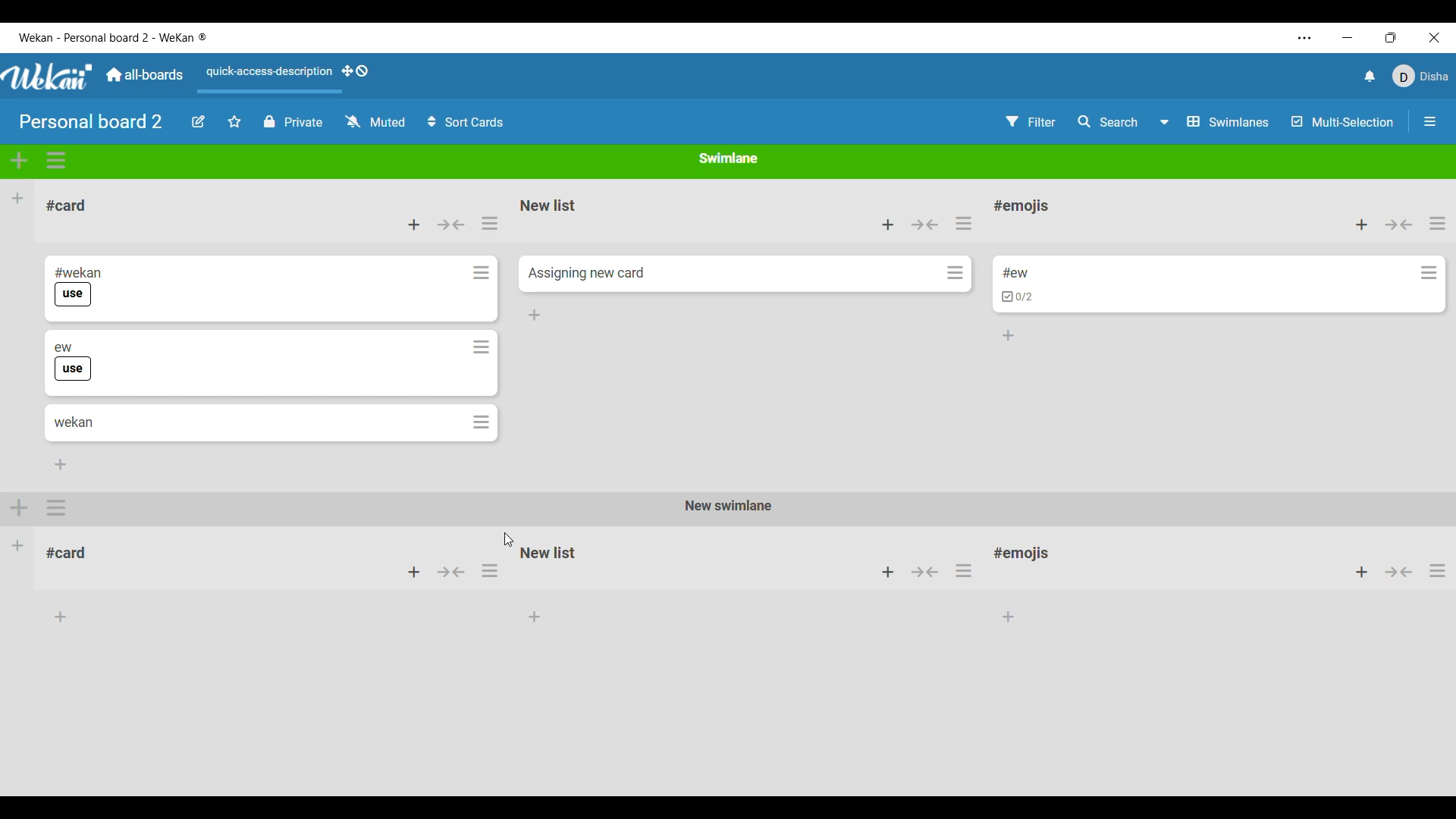  Describe the element at coordinates (71, 464) in the screenshot. I see `add` at that location.